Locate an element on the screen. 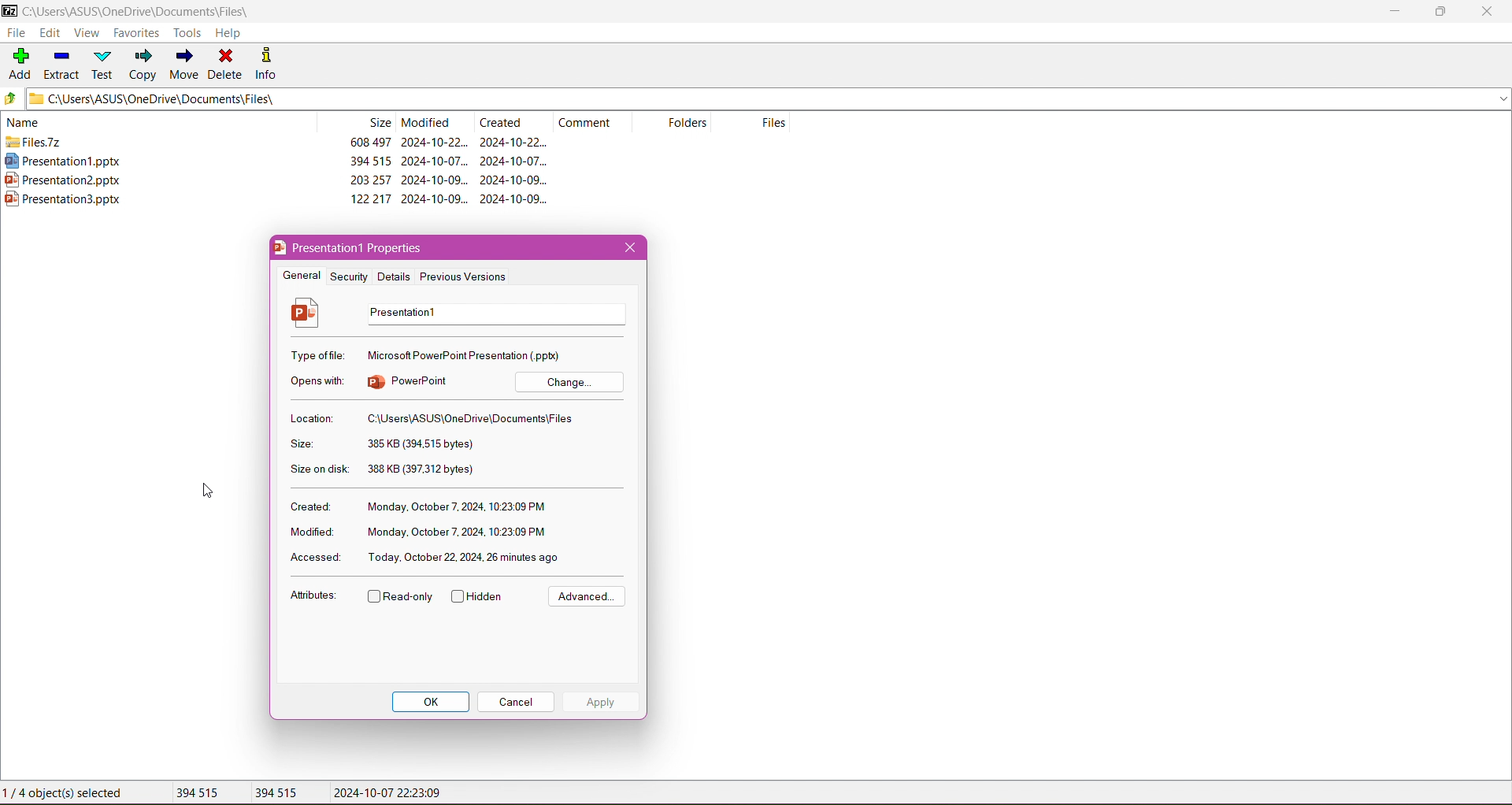 This screenshot has height=805, width=1512. Advanced is located at coordinates (587, 598).